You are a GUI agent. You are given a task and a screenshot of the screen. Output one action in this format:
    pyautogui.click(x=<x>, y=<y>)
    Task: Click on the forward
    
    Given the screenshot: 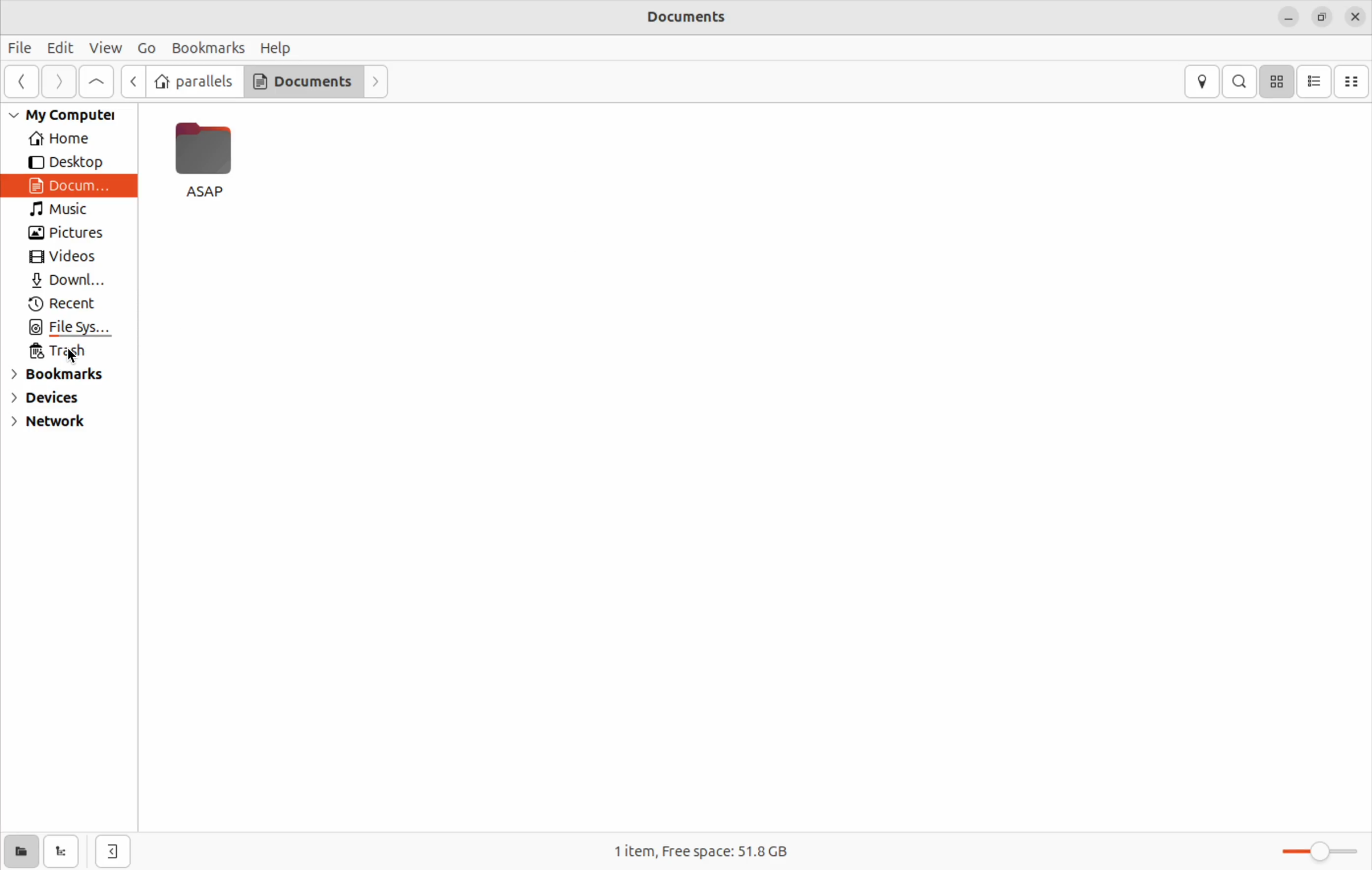 What is the action you would take?
    pyautogui.click(x=375, y=78)
    